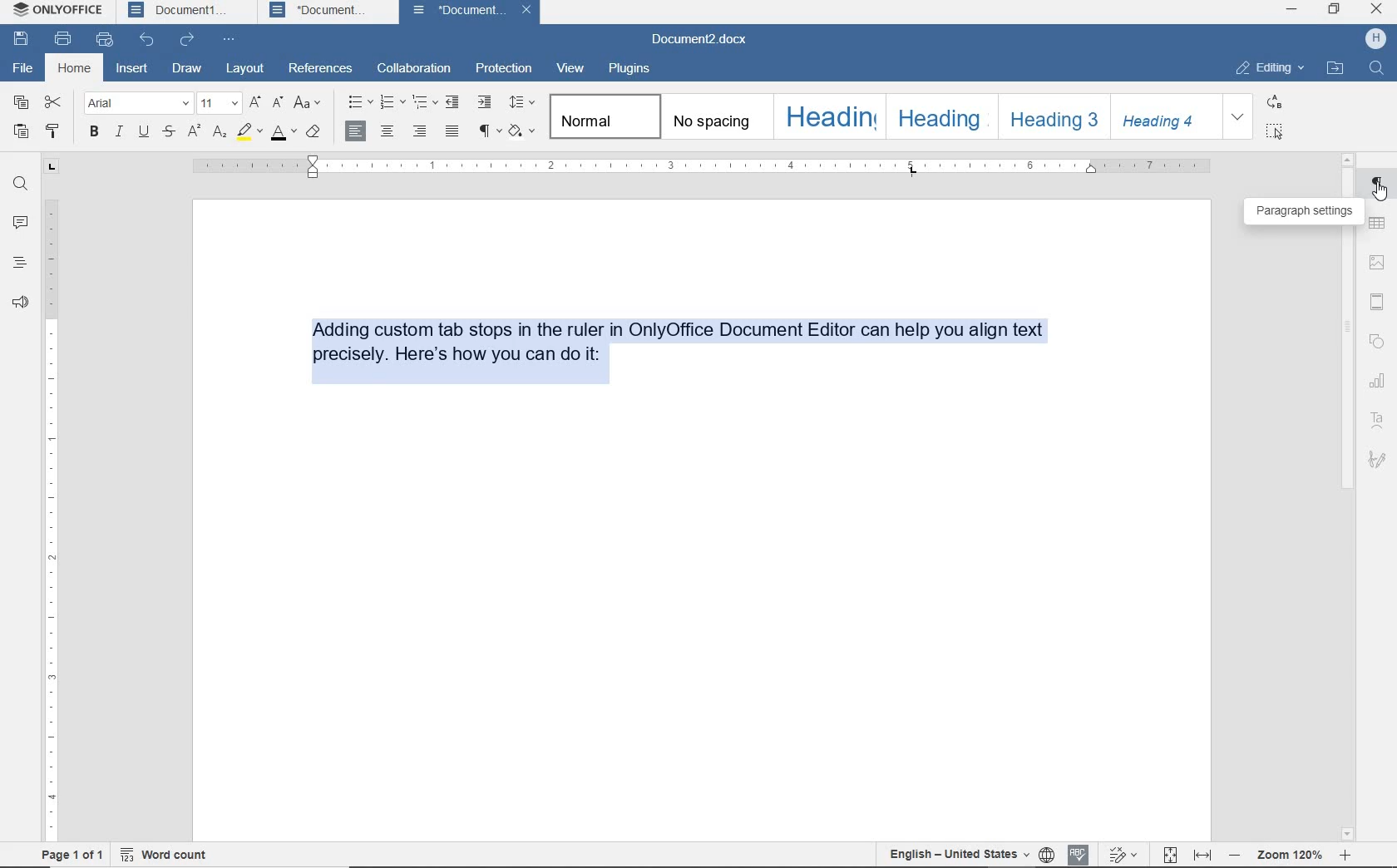 This screenshot has height=868, width=1397. Describe the element at coordinates (17, 264) in the screenshot. I see `headings` at that location.